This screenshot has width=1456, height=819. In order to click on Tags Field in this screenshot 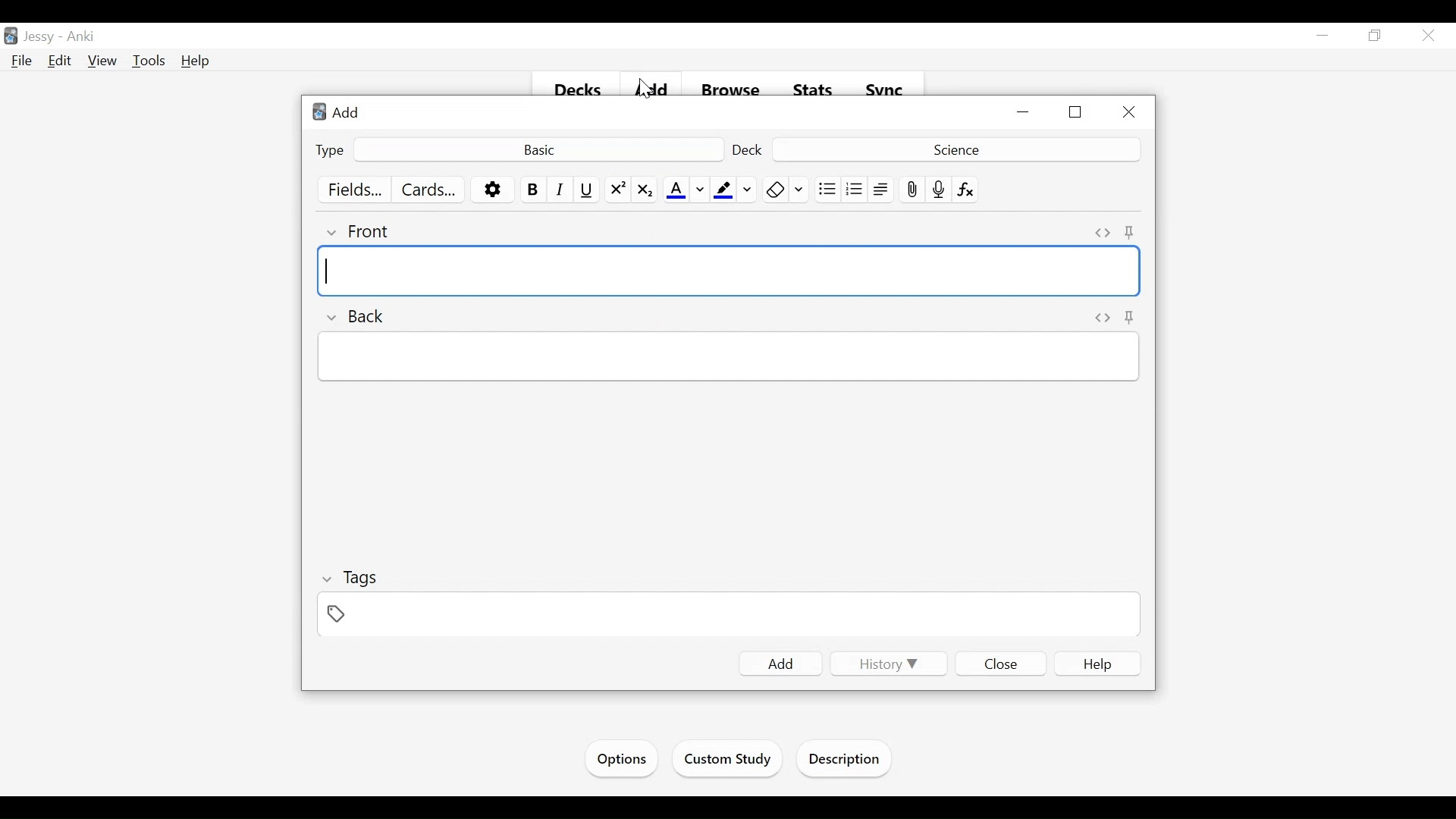, I will do `click(730, 616)`.